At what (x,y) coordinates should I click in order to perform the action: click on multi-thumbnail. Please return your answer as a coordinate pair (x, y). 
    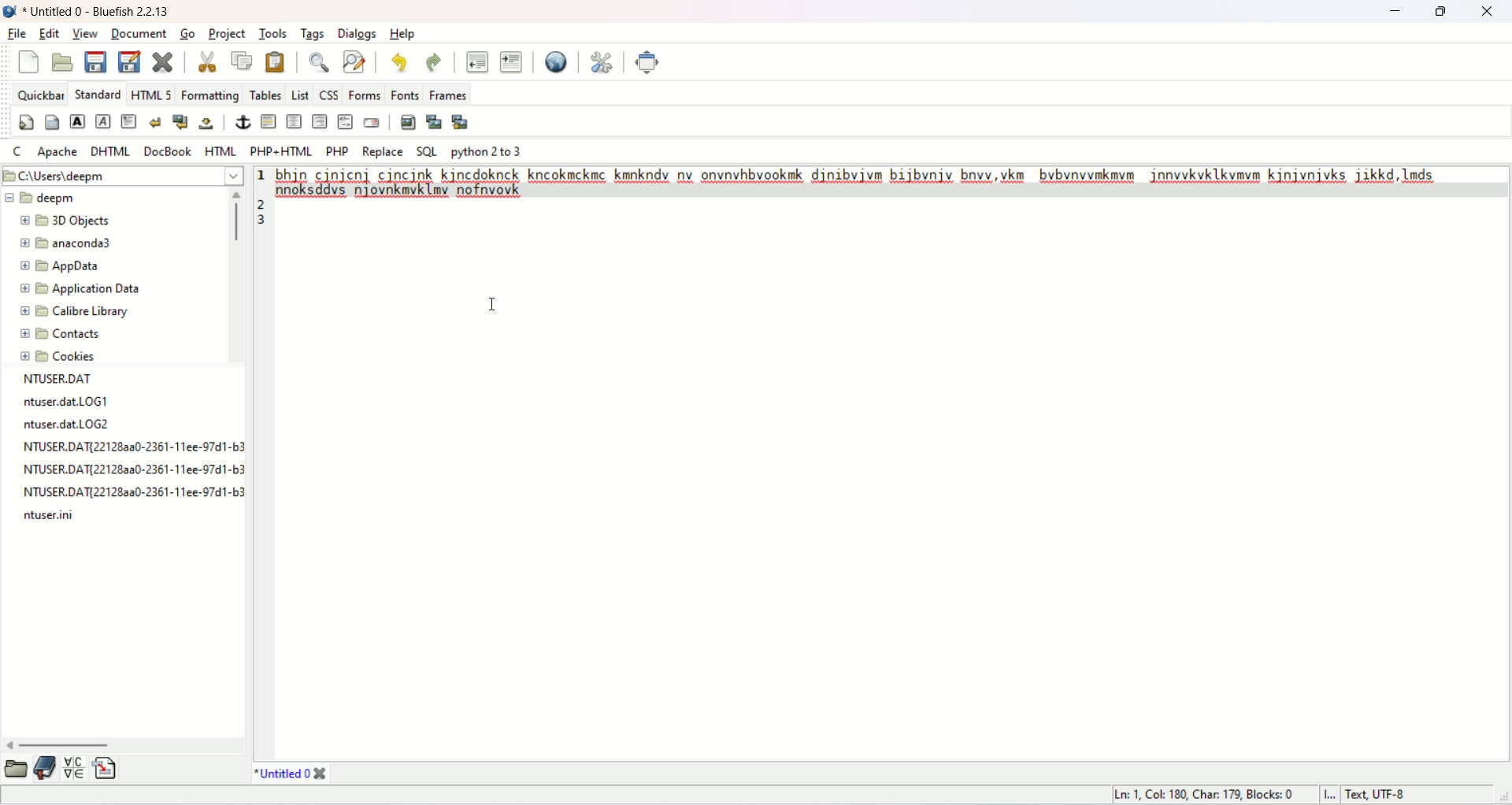
    Looking at the image, I should click on (462, 121).